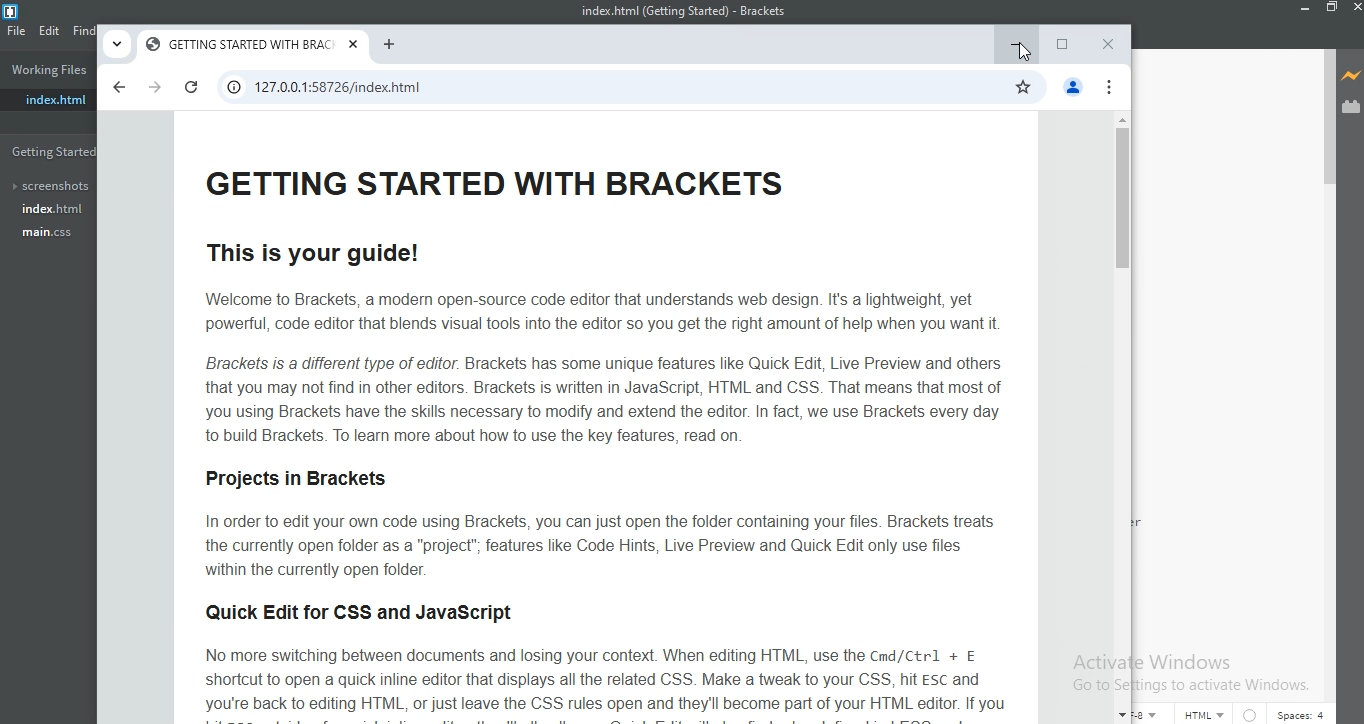  I want to click on Screenshots, so click(49, 186).